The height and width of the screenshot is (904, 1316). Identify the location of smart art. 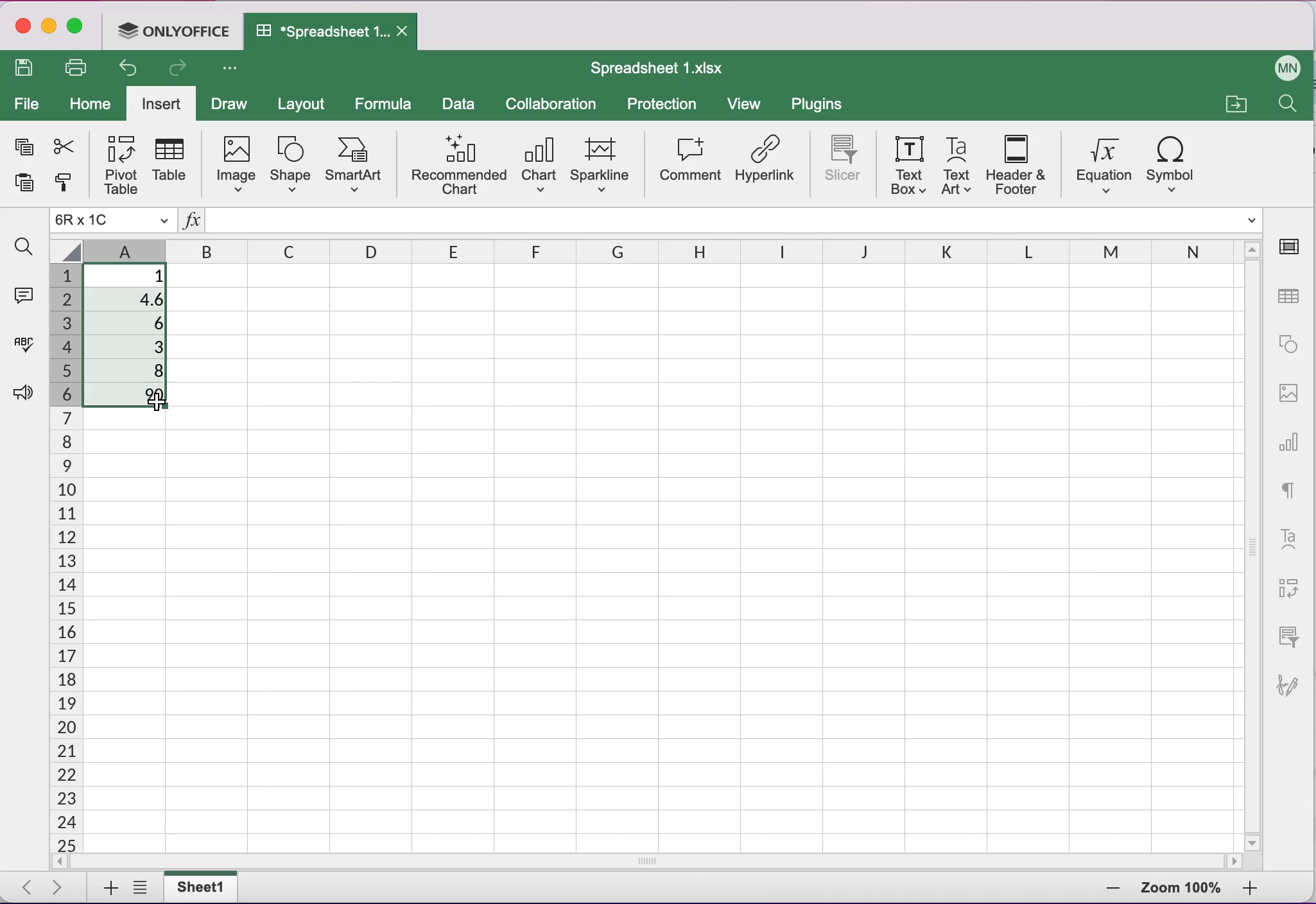
(356, 164).